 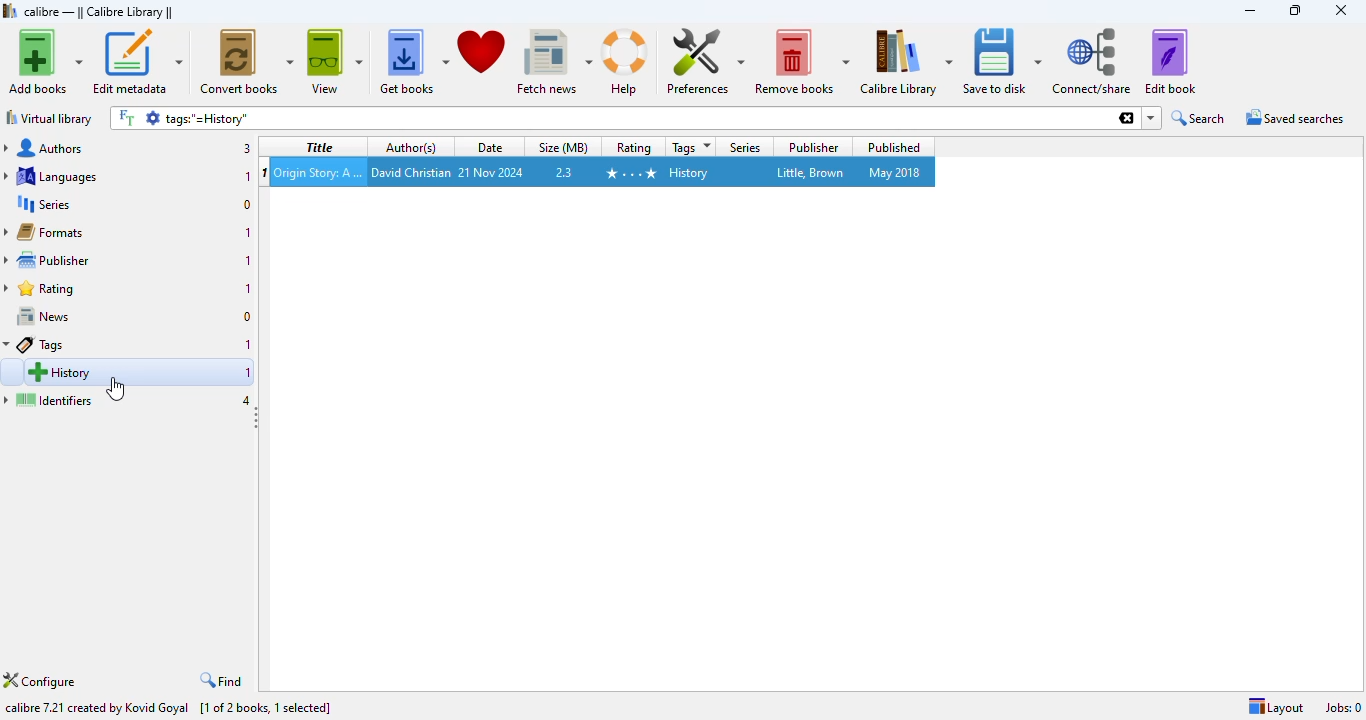 I want to click on configure, so click(x=40, y=681).